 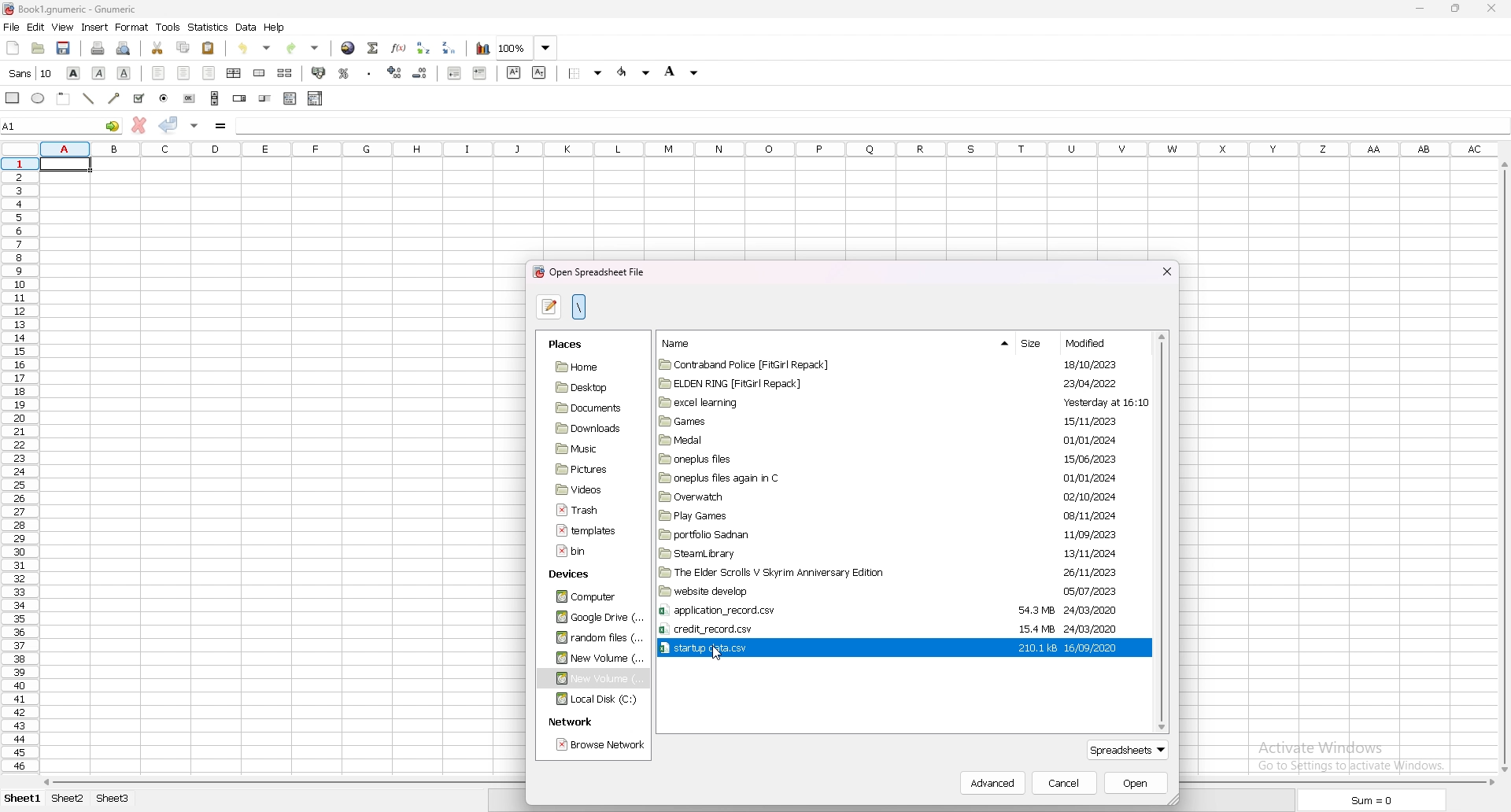 I want to click on 16/09/2020, so click(x=1095, y=648).